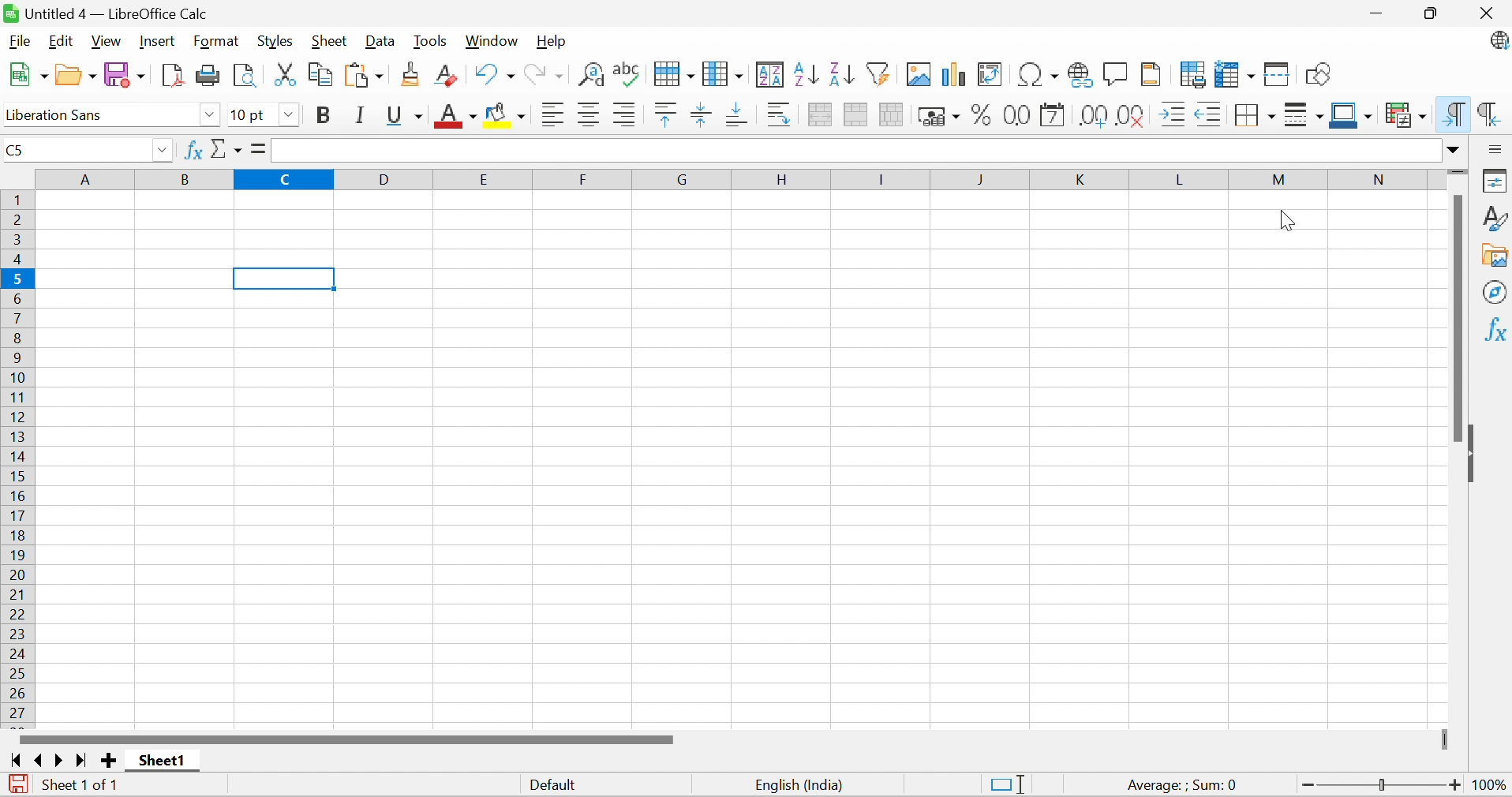 The image size is (1512, 797). I want to click on 100%, so click(1492, 788).